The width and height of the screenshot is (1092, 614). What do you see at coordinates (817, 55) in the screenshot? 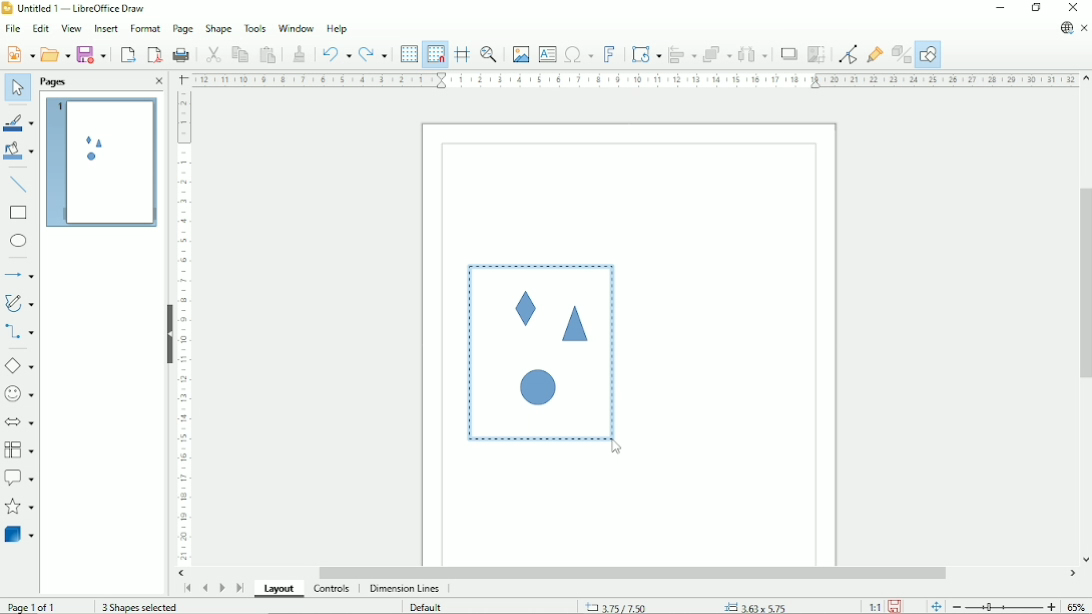
I see `Crop image` at bounding box center [817, 55].